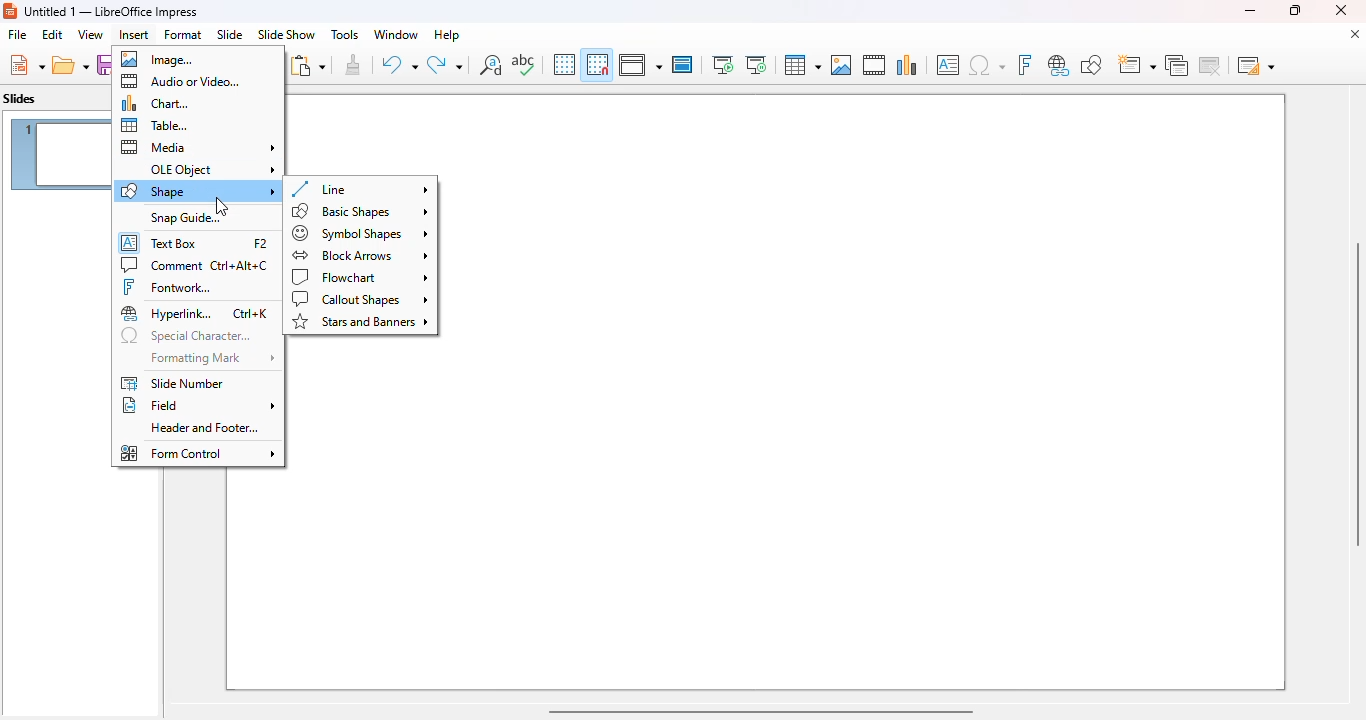 This screenshot has width=1366, height=720. Describe the element at coordinates (1354, 34) in the screenshot. I see `close document` at that location.